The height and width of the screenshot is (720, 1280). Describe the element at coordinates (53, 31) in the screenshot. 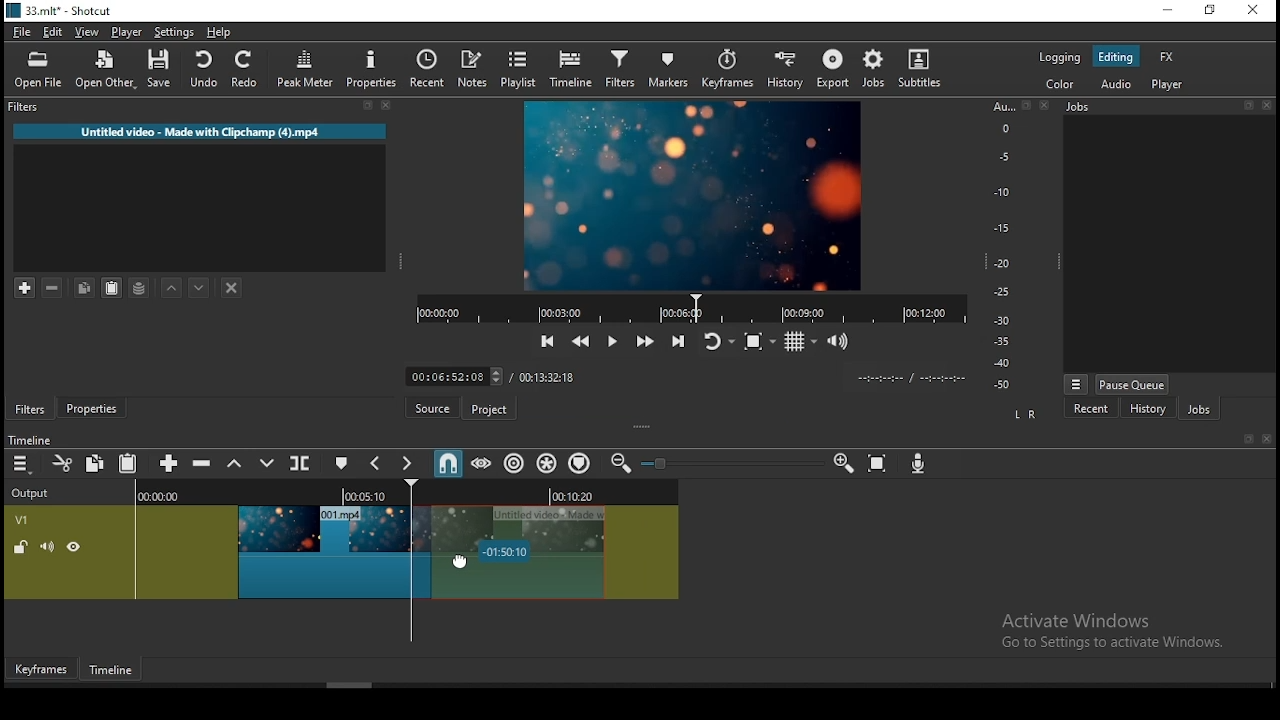

I see `edit` at that location.